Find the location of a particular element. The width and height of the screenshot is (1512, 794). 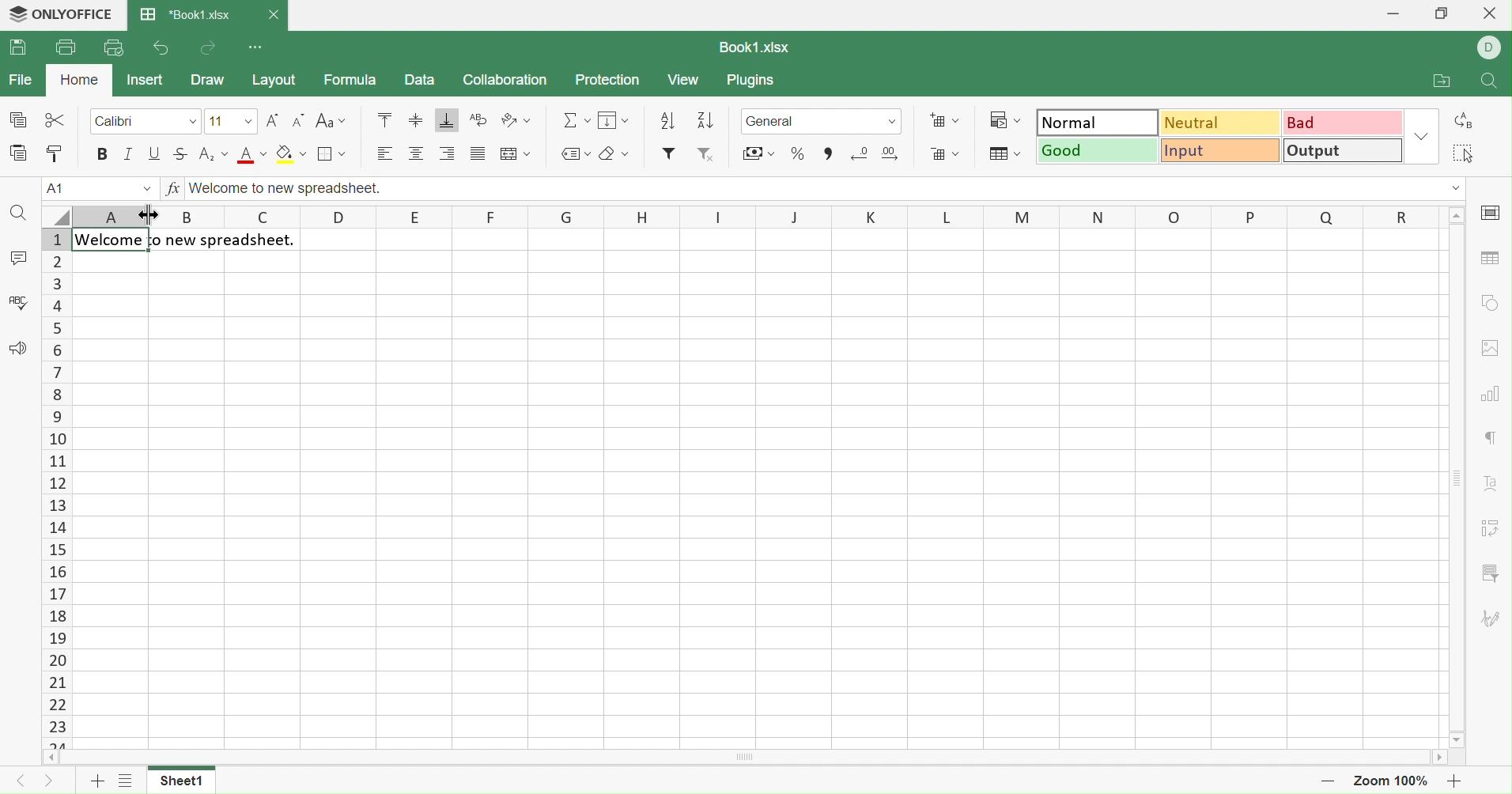

Format as table template is located at coordinates (1004, 154).